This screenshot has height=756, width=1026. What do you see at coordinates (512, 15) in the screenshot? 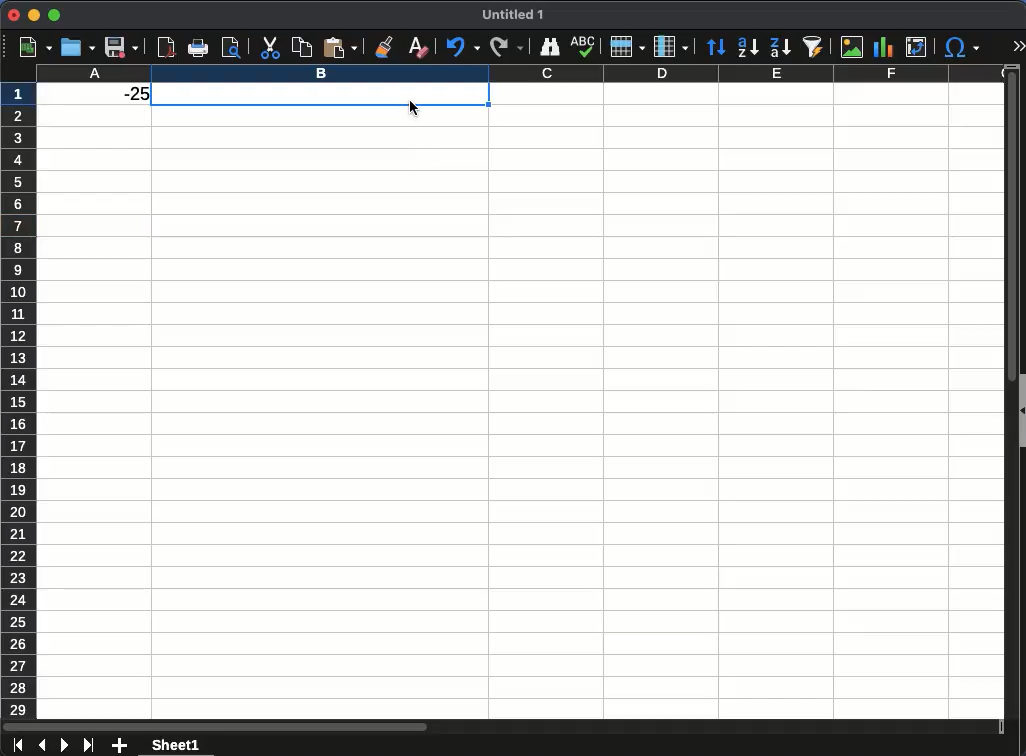
I see `untitled 1` at bounding box center [512, 15].